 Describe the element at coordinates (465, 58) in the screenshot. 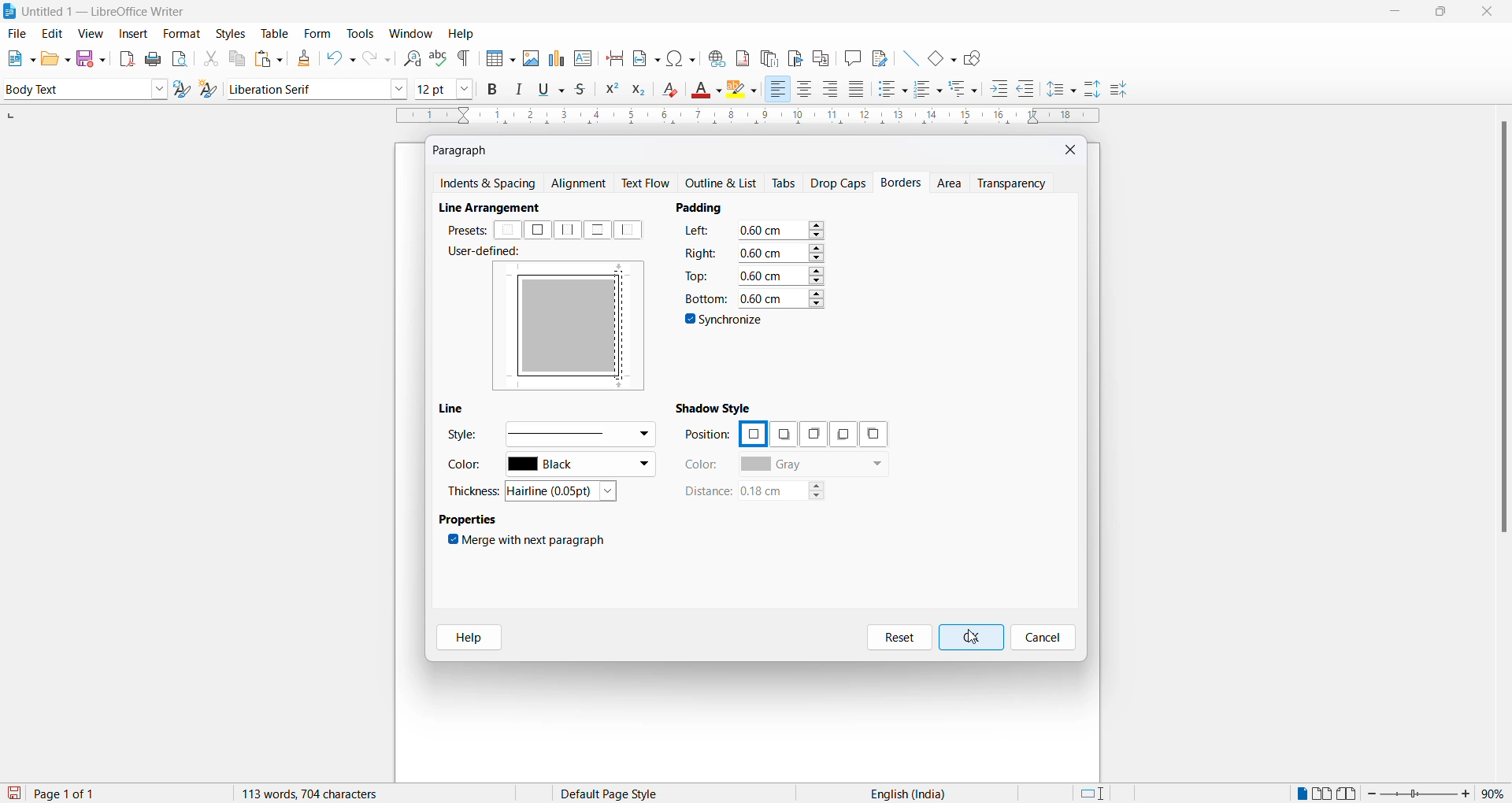

I see `toggle formatting marks` at that location.